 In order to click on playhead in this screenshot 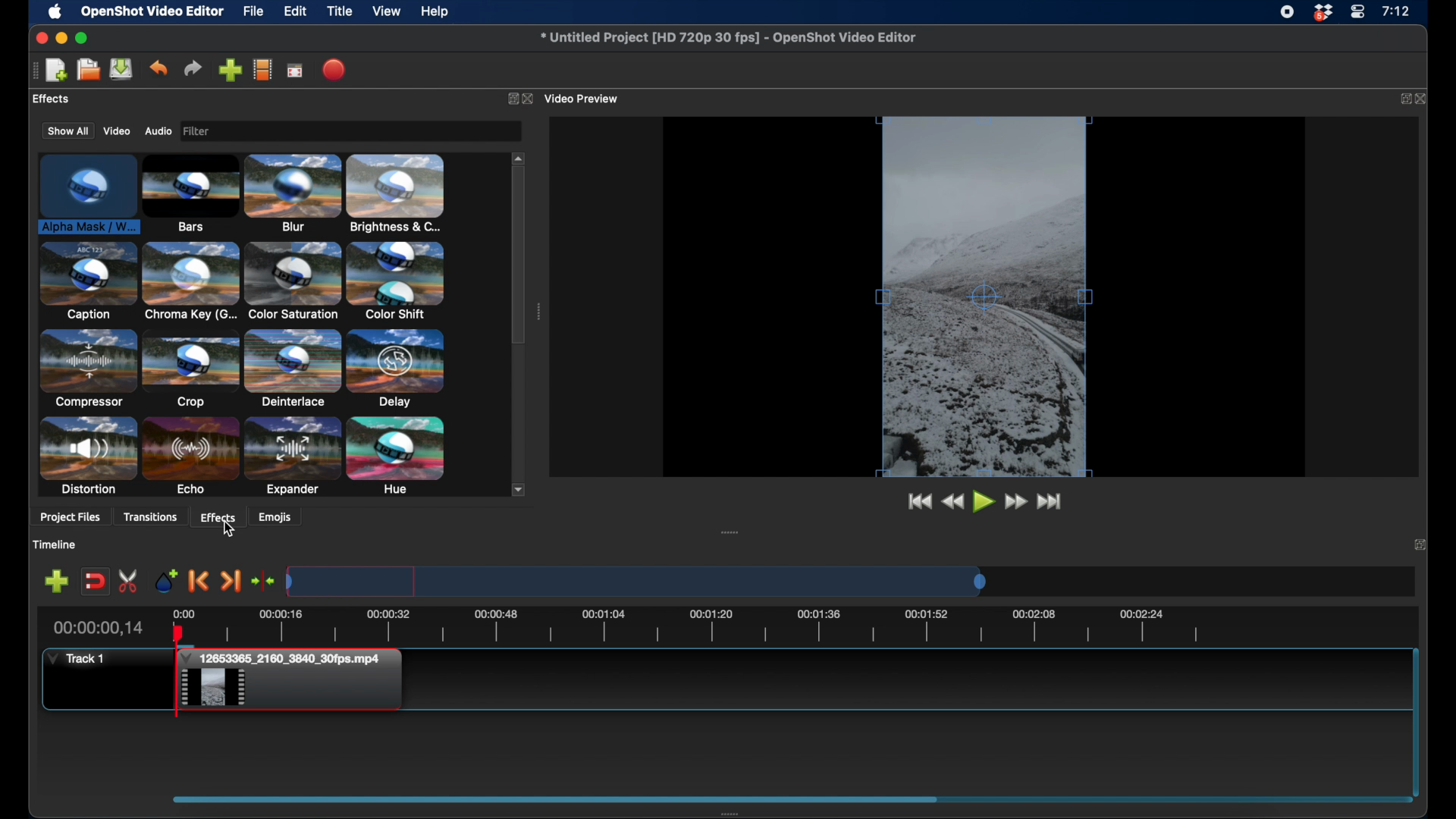, I will do `click(177, 671)`.